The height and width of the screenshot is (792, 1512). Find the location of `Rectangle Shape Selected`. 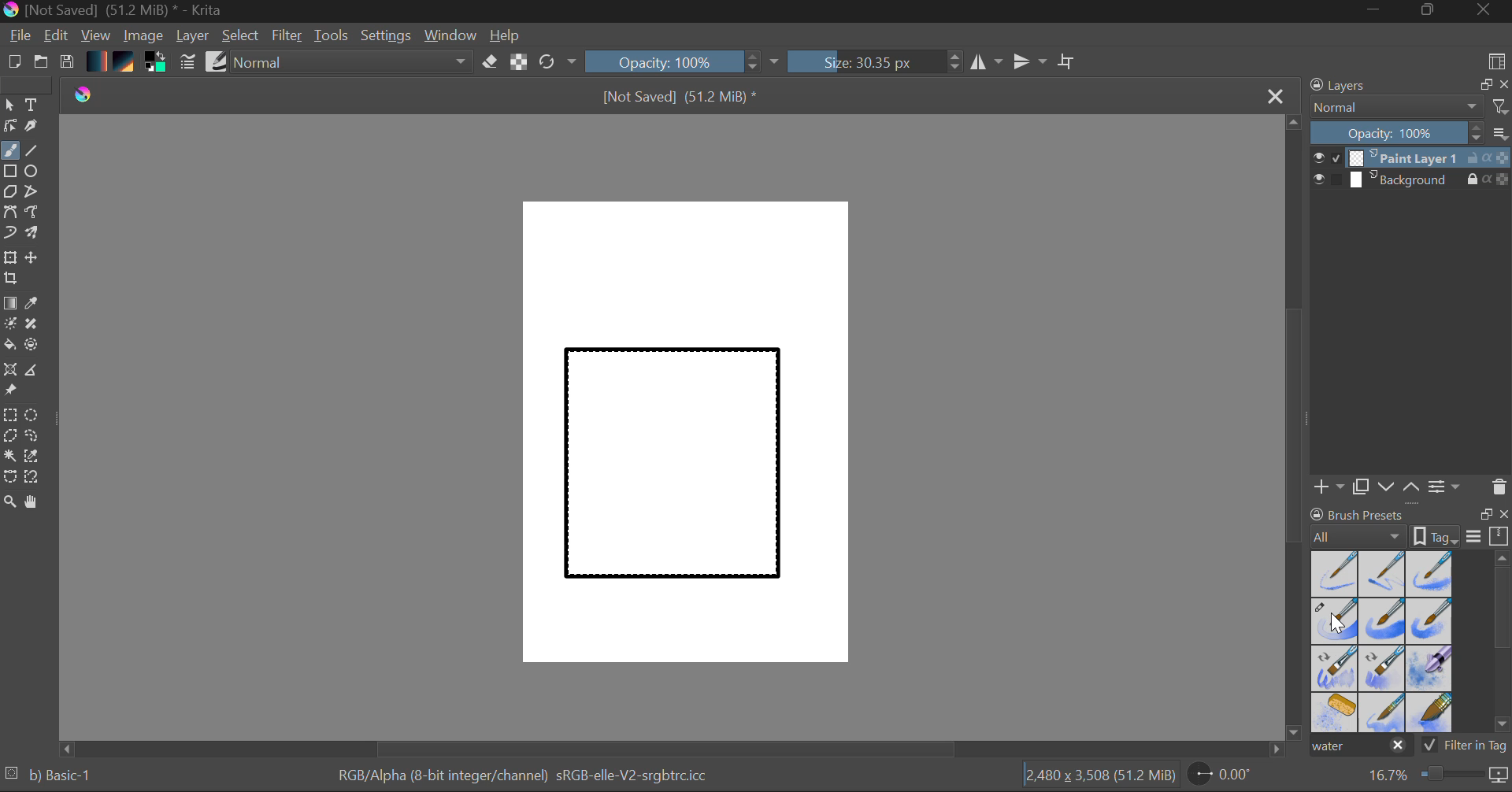

Rectangle Shape Selected is located at coordinates (674, 479).